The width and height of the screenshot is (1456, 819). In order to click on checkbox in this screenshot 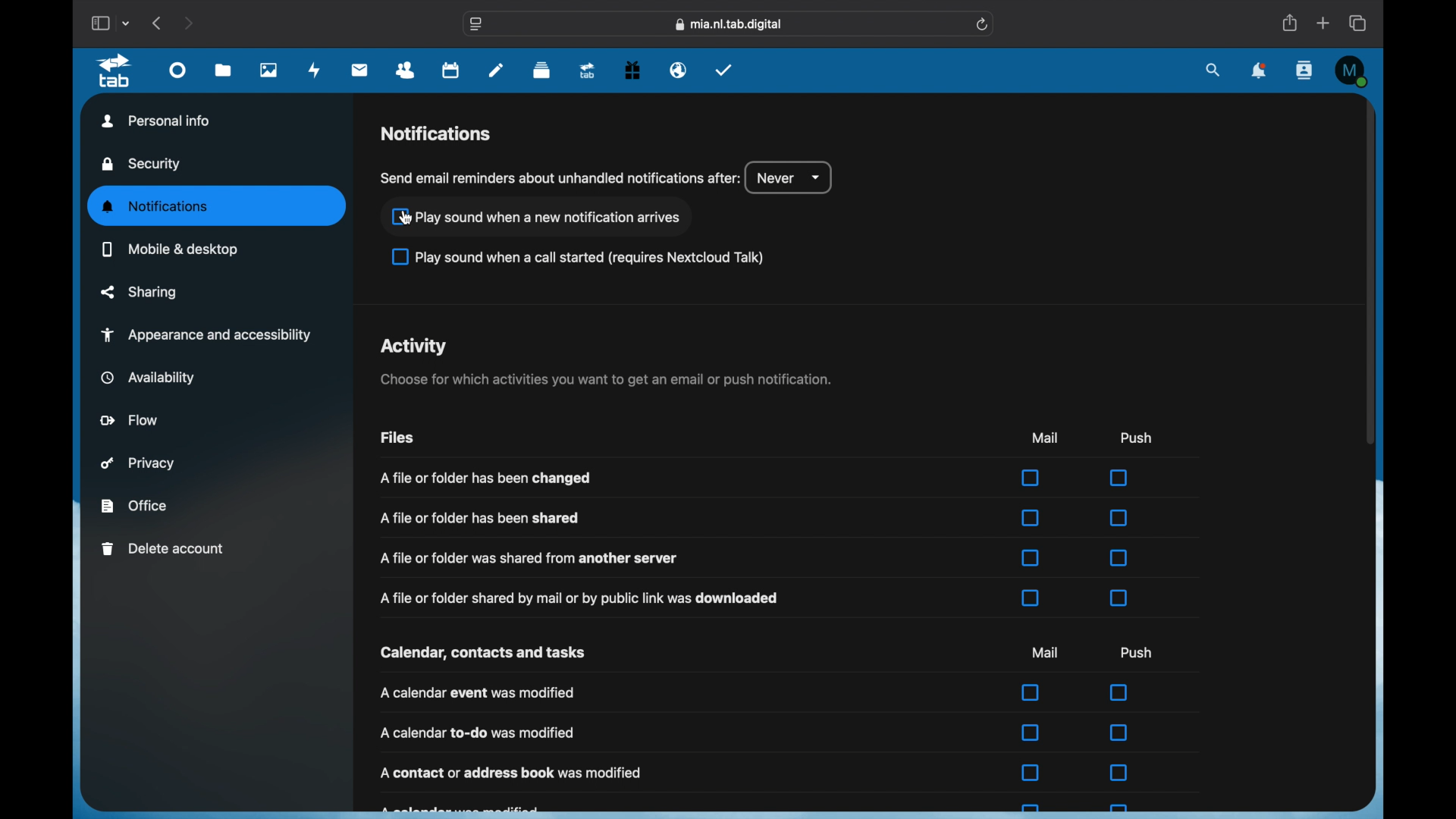, I will do `click(1031, 517)`.